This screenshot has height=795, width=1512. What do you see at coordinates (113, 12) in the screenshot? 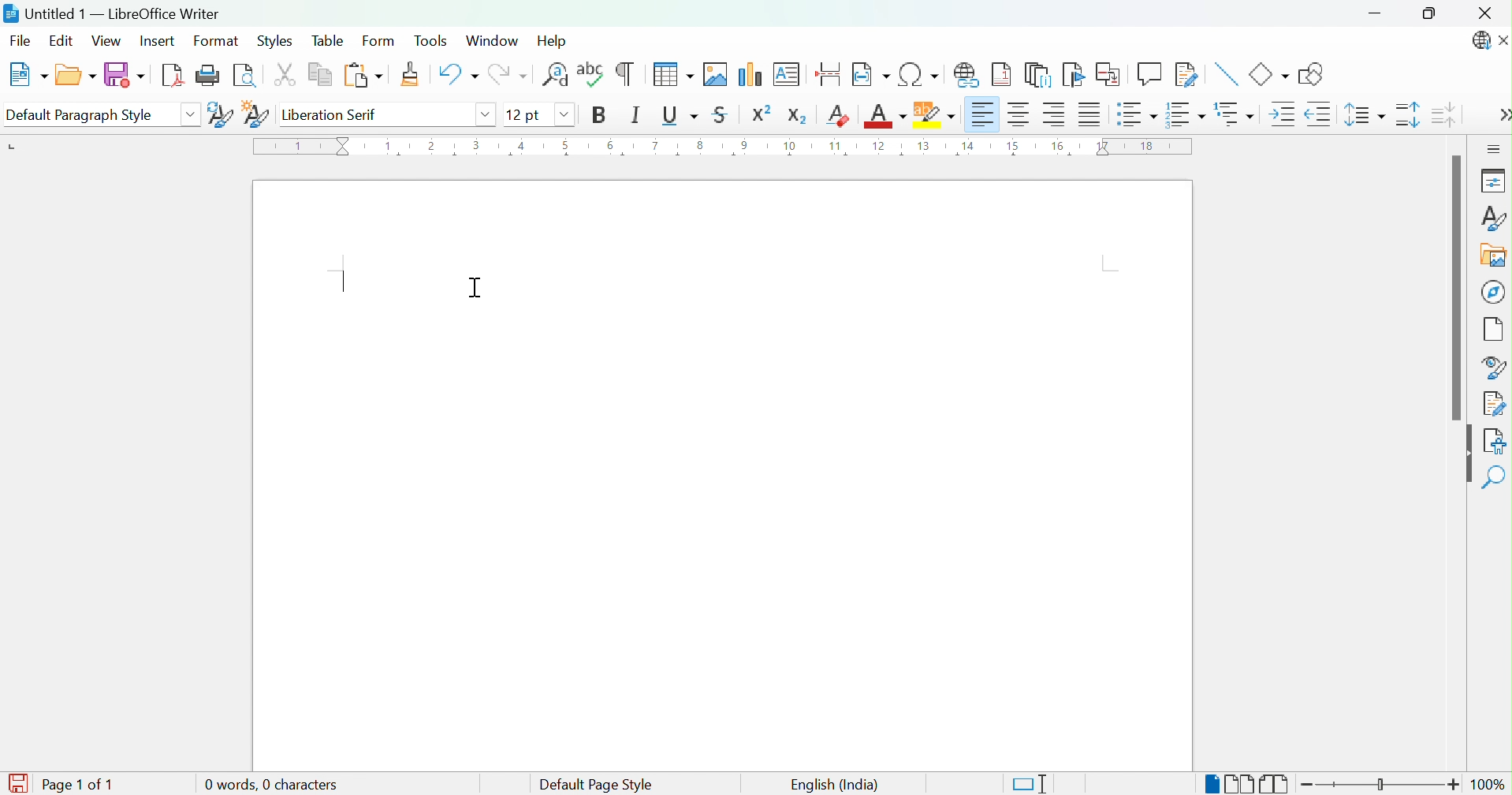
I see `Untitled 1 - LibreOffice Writer` at bounding box center [113, 12].